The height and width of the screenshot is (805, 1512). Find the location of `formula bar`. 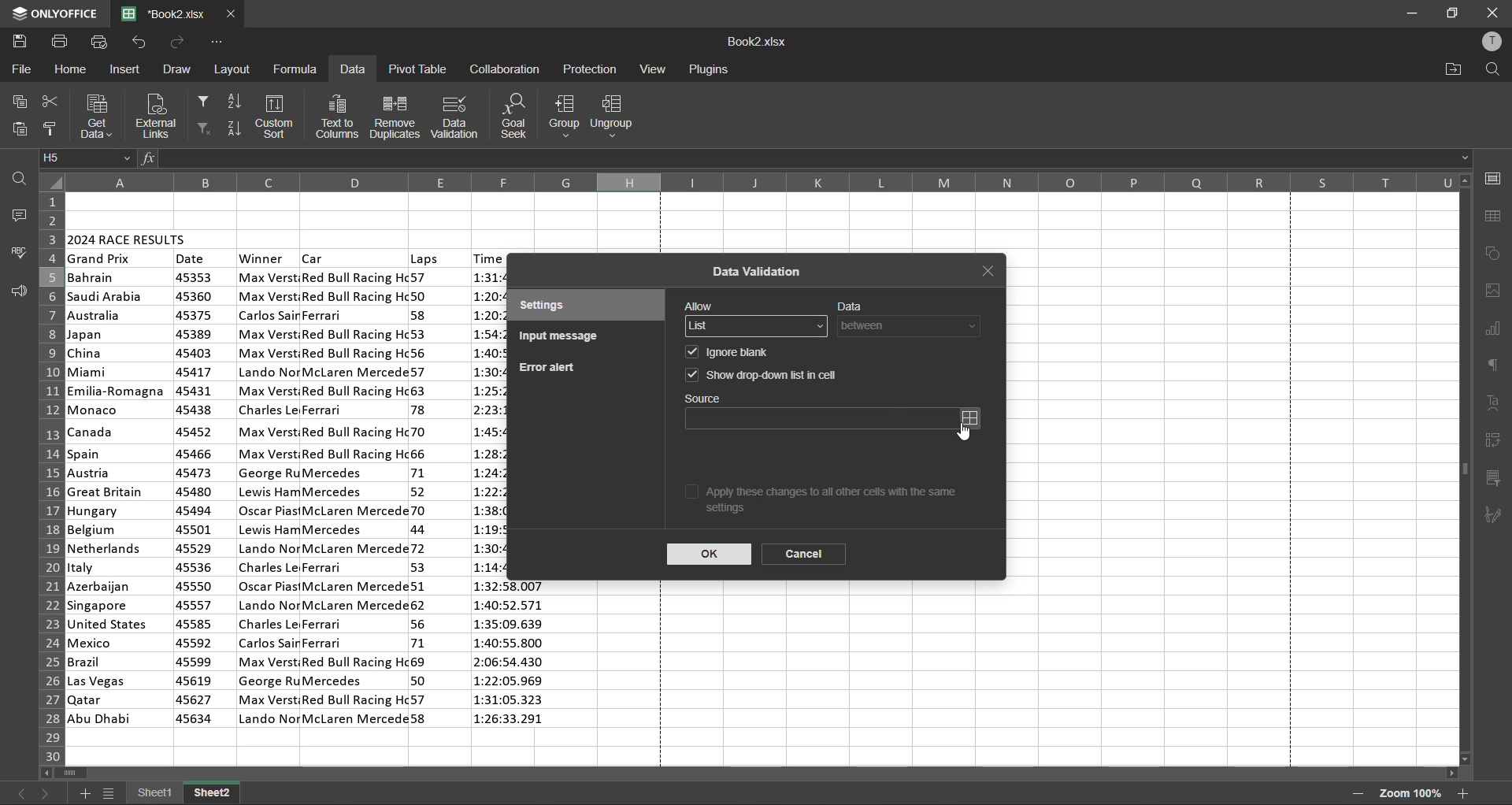

formula bar is located at coordinates (811, 158).